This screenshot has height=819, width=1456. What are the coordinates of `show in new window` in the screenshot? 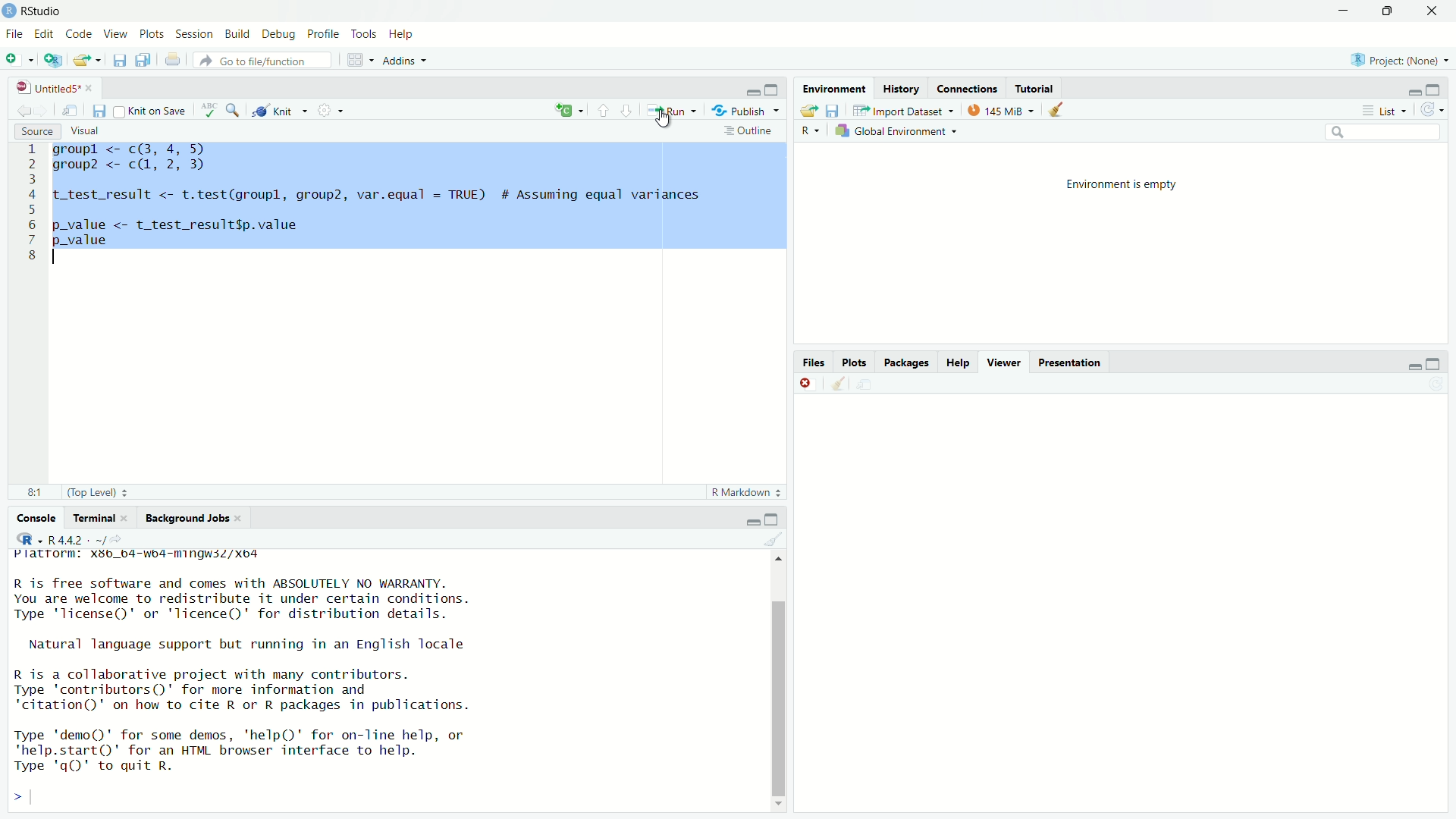 It's located at (70, 109).